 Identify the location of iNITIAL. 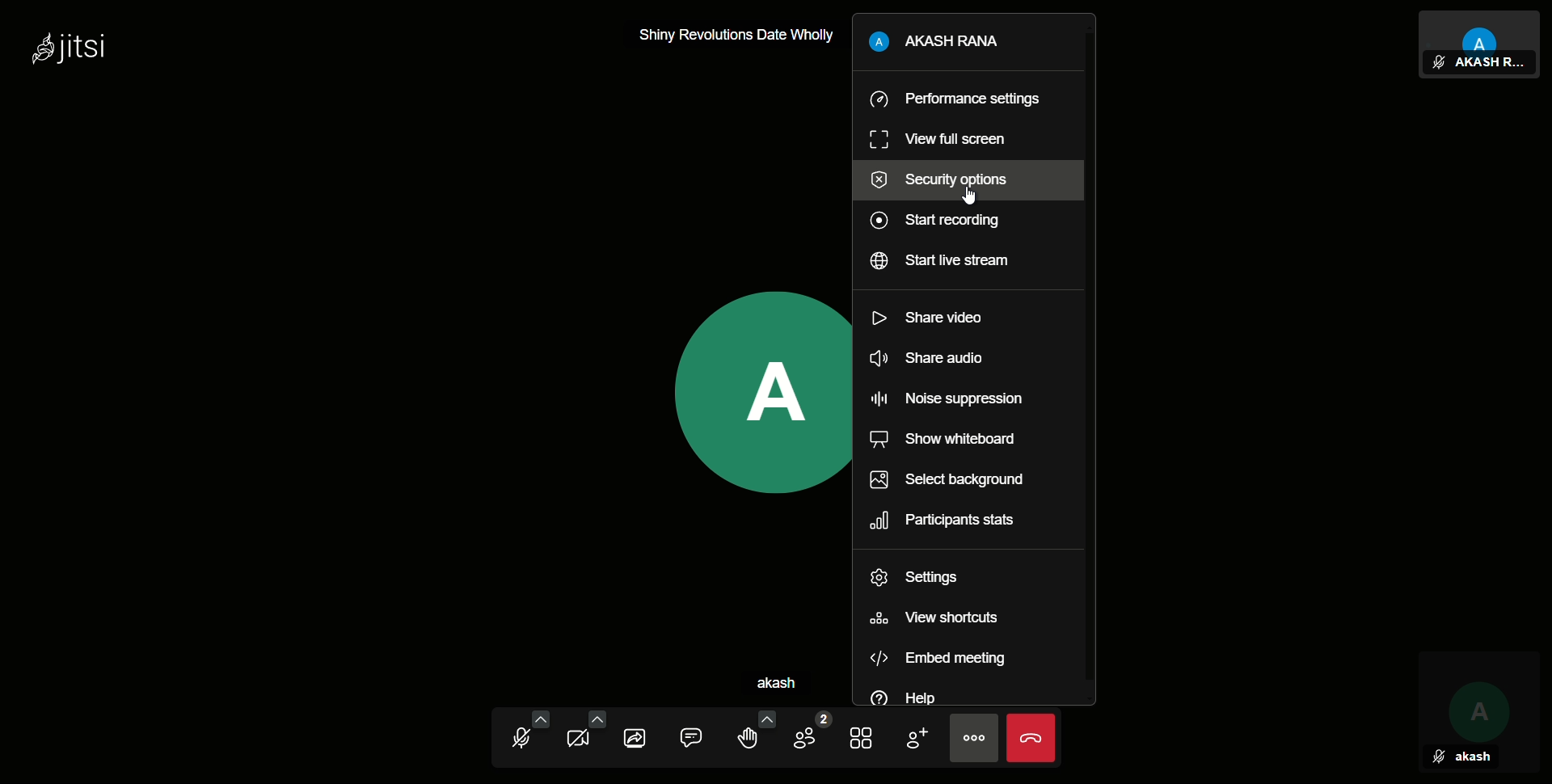
(1478, 698).